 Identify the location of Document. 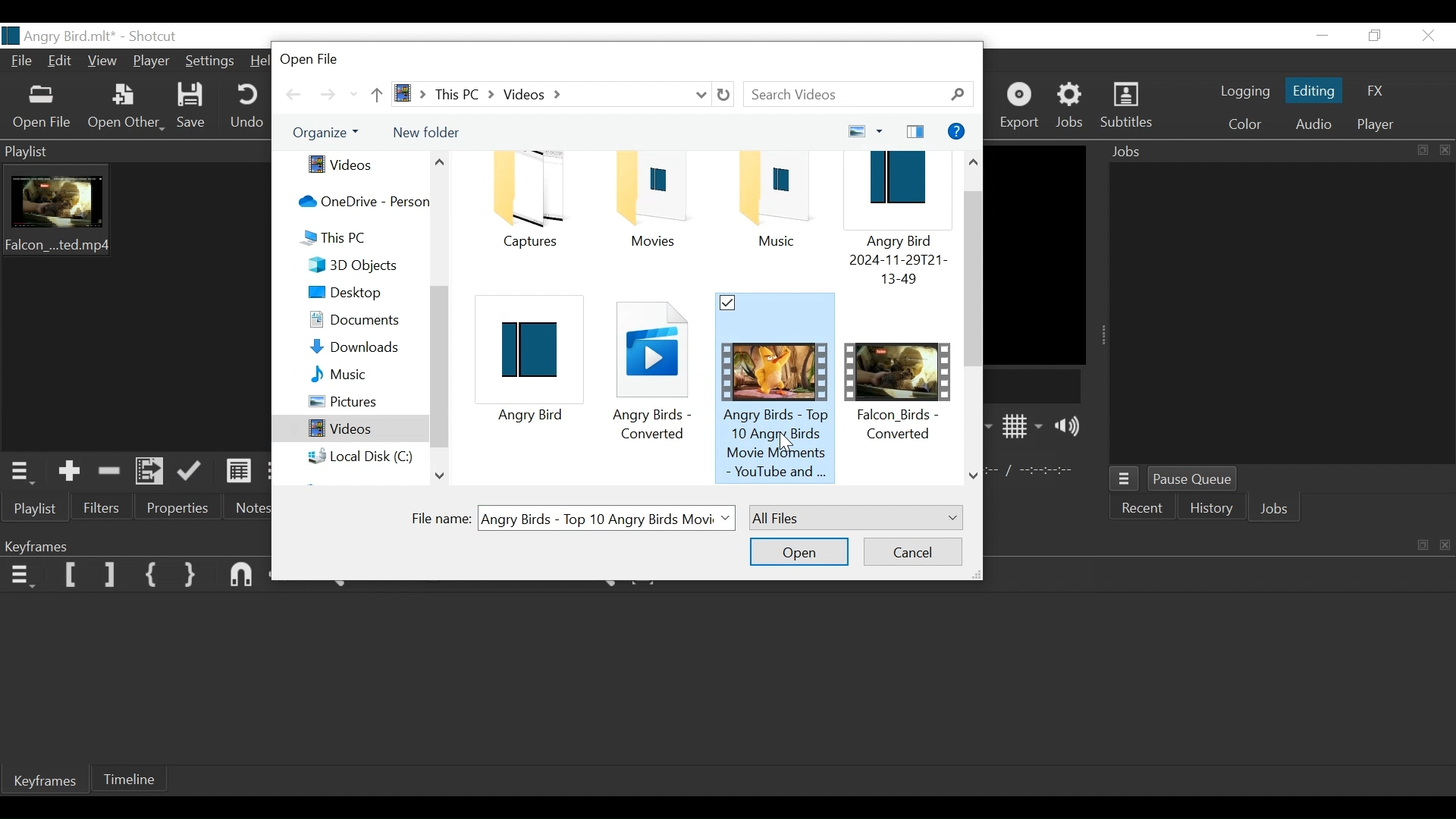
(362, 322).